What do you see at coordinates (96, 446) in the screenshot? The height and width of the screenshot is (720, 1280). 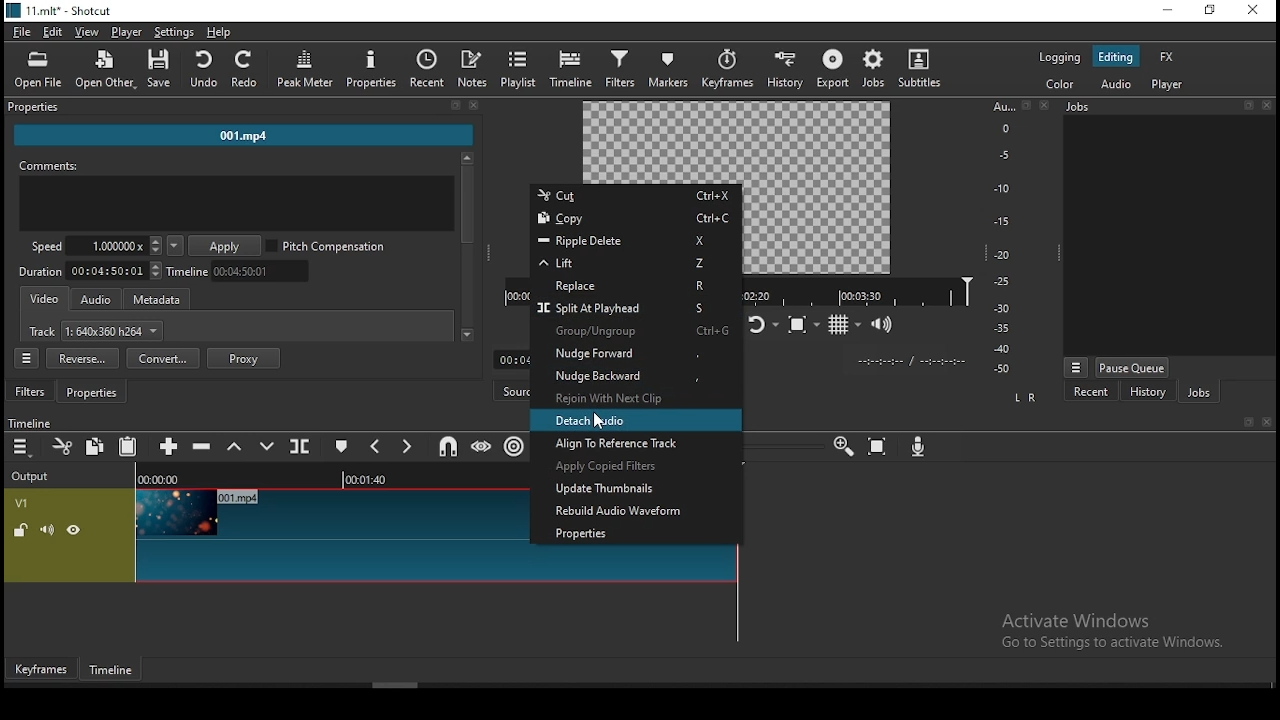 I see `copy` at bounding box center [96, 446].